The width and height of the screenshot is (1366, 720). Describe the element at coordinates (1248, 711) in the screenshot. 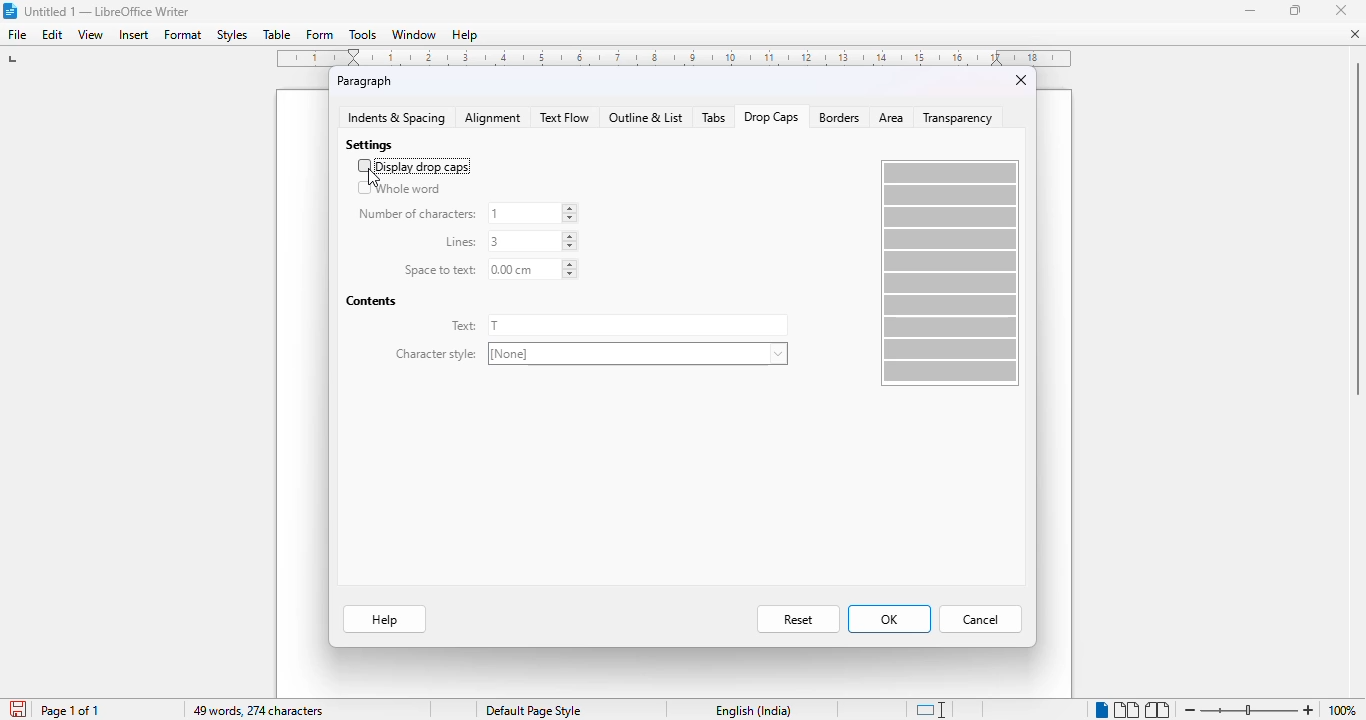

I see `zoom in or zoom out bar` at that location.